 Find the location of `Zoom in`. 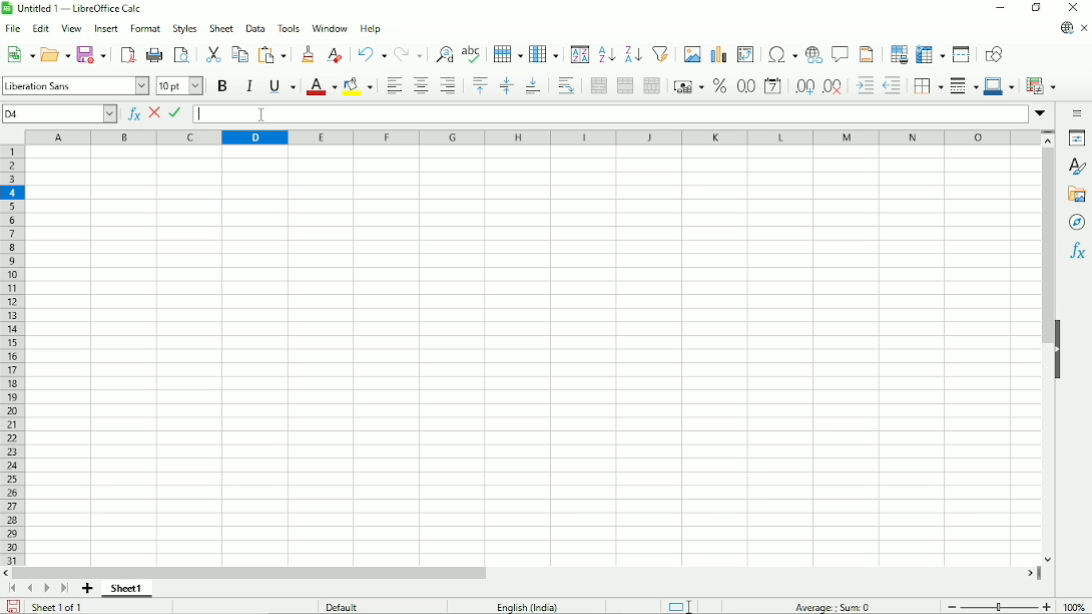

Zoom in is located at coordinates (1046, 606).